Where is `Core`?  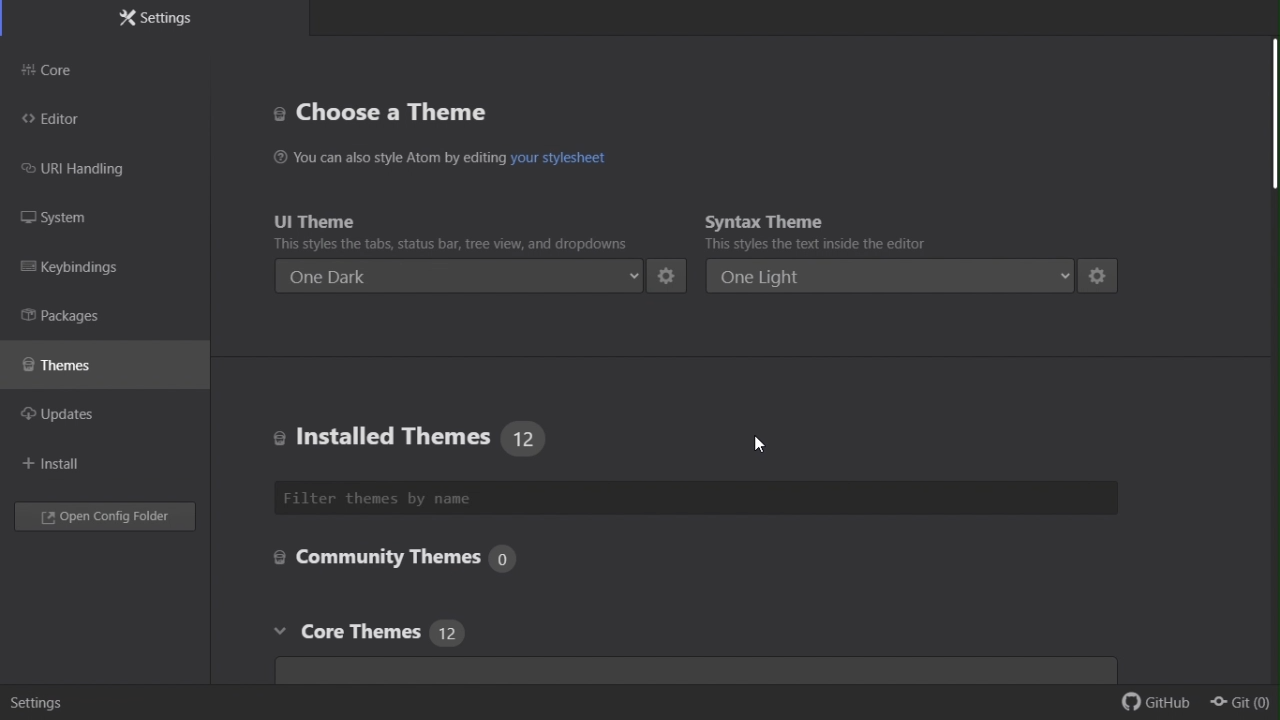 Core is located at coordinates (74, 71).